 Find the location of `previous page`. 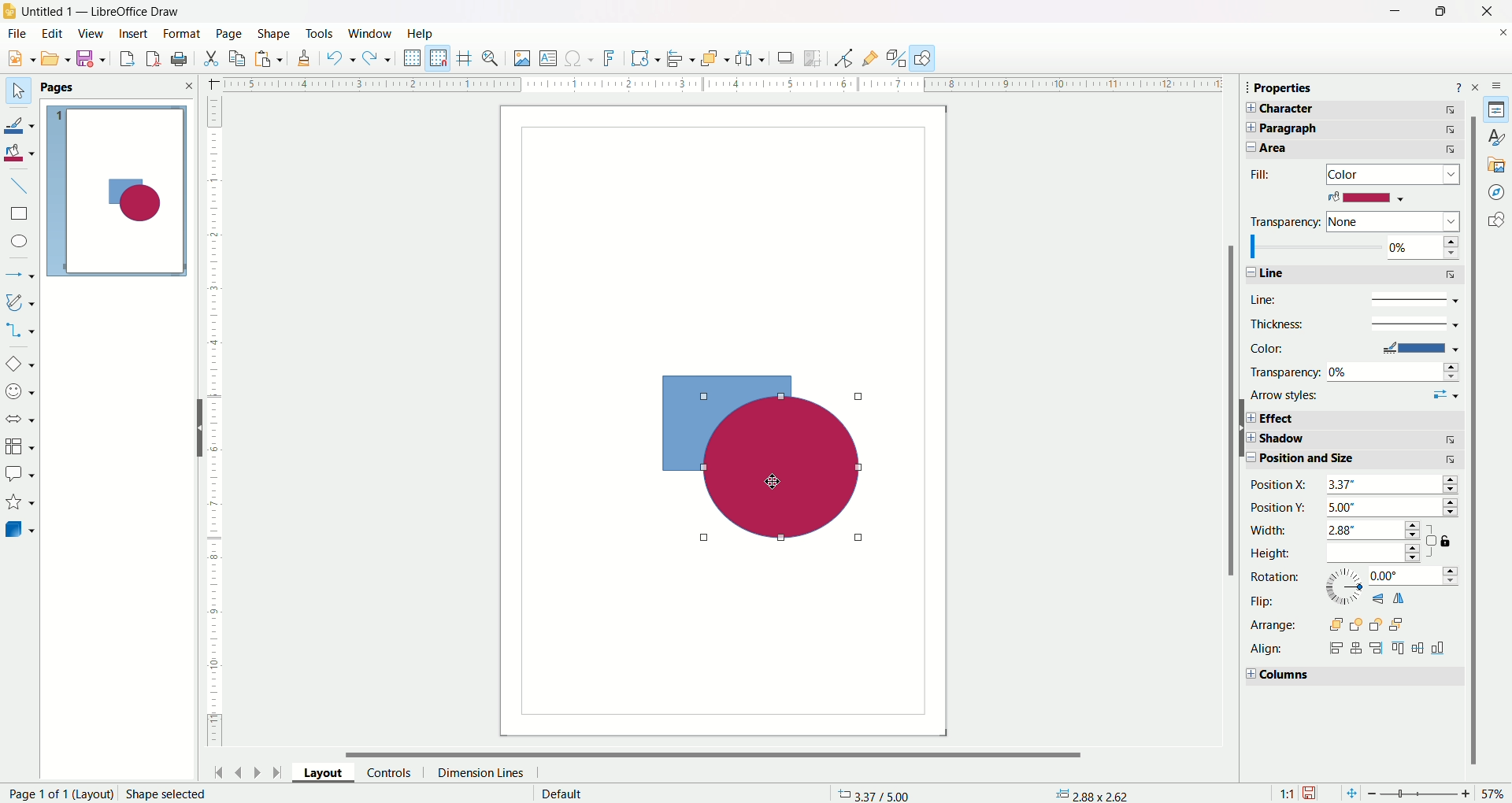

previous page is located at coordinates (240, 770).